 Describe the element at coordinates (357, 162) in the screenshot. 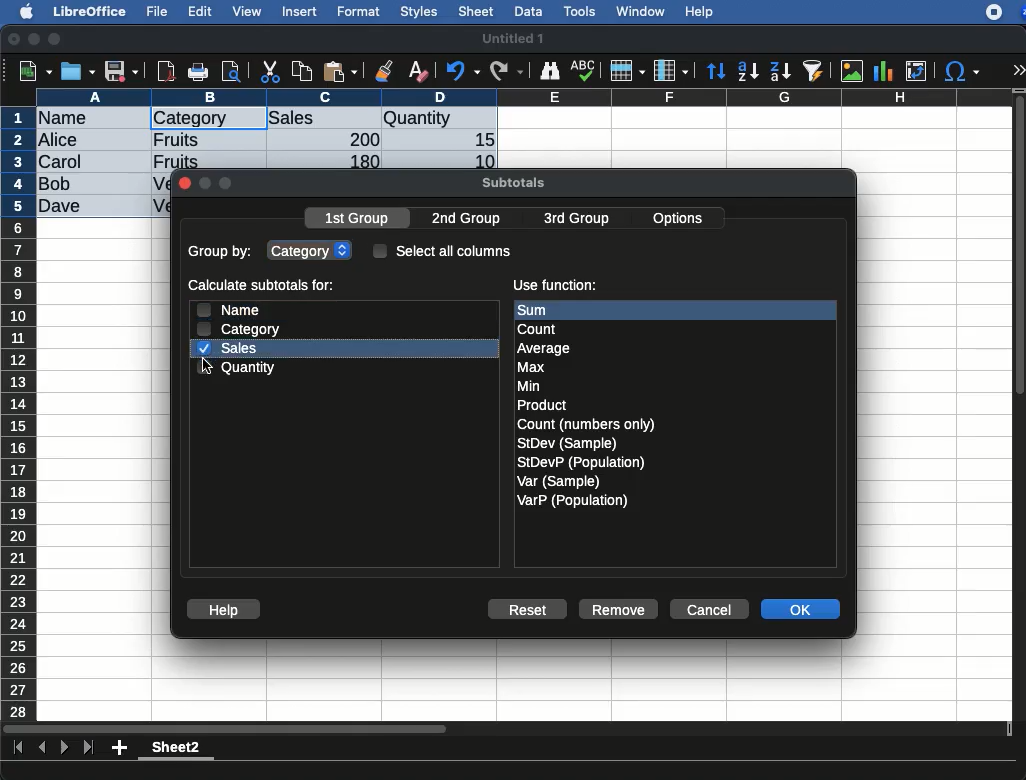

I see `180` at that location.